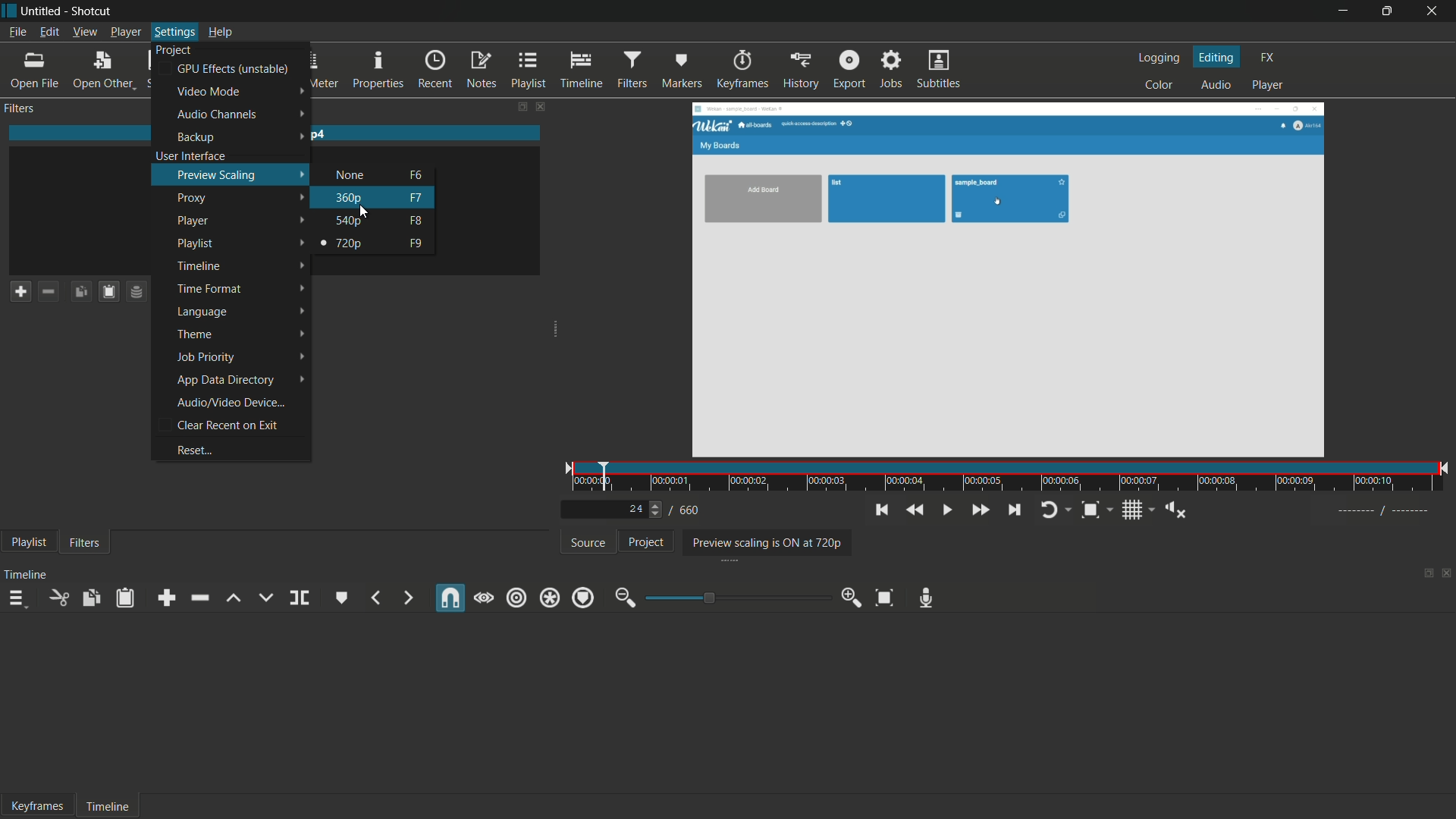 The height and width of the screenshot is (819, 1456). I want to click on close filters, so click(541, 106).